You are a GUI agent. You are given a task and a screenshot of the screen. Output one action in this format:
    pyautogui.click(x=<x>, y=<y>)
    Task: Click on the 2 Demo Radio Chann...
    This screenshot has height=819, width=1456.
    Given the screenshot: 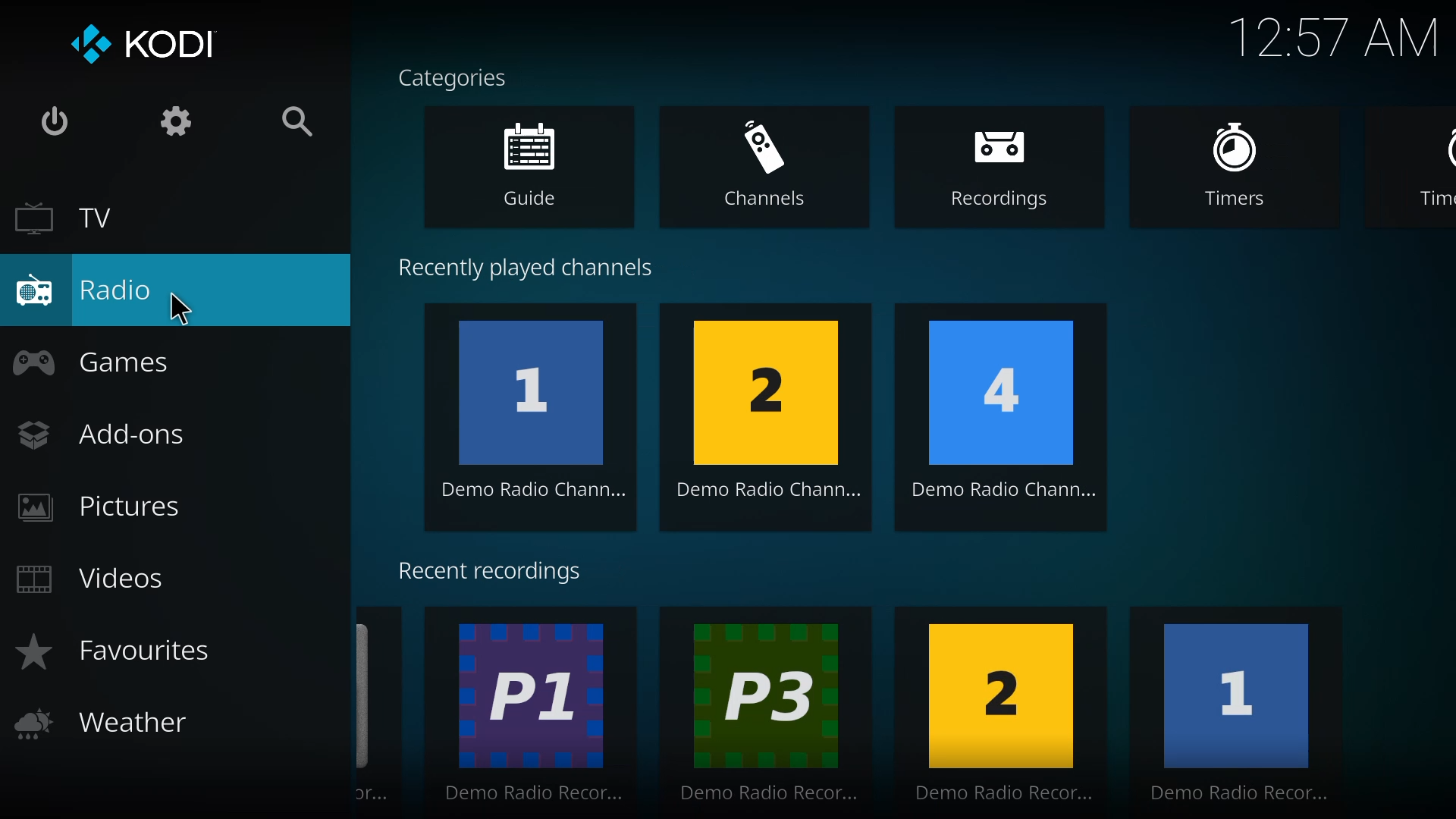 What is the action you would take?
    pyautogui.click(x=767, y=418)
    